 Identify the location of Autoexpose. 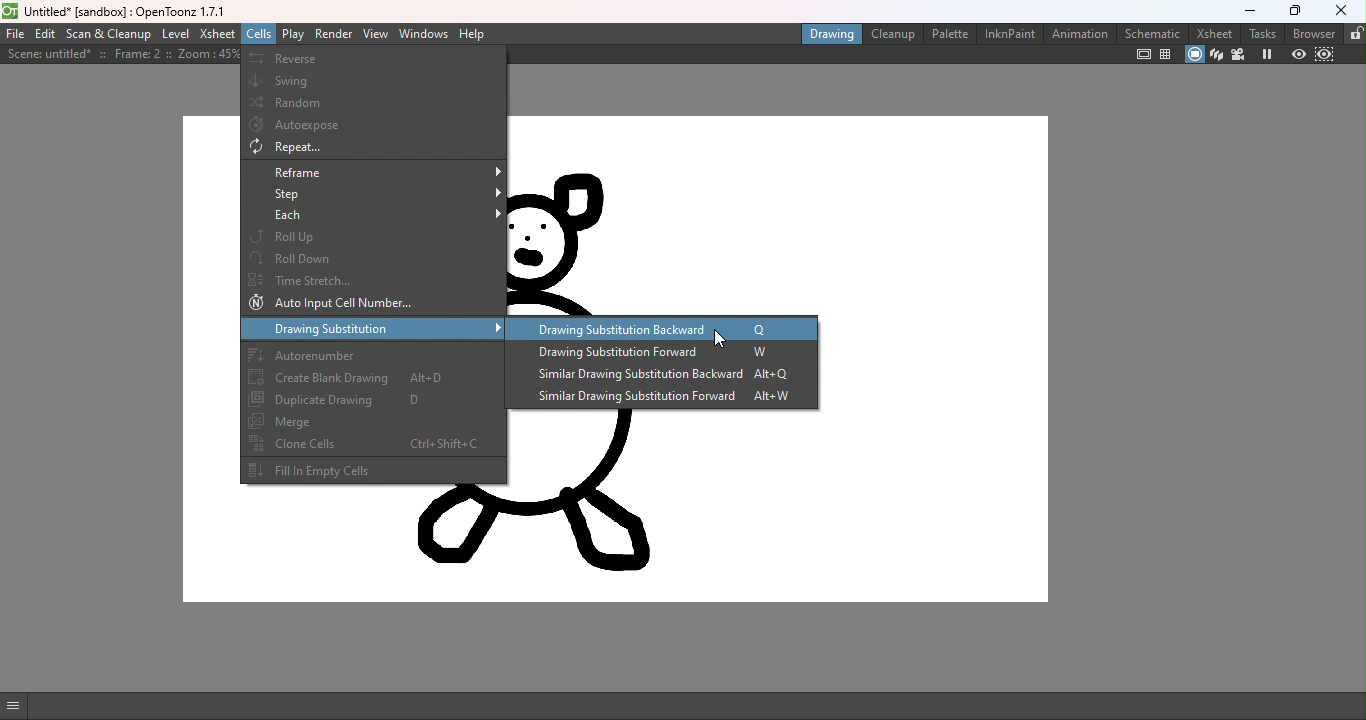
(374, 126).